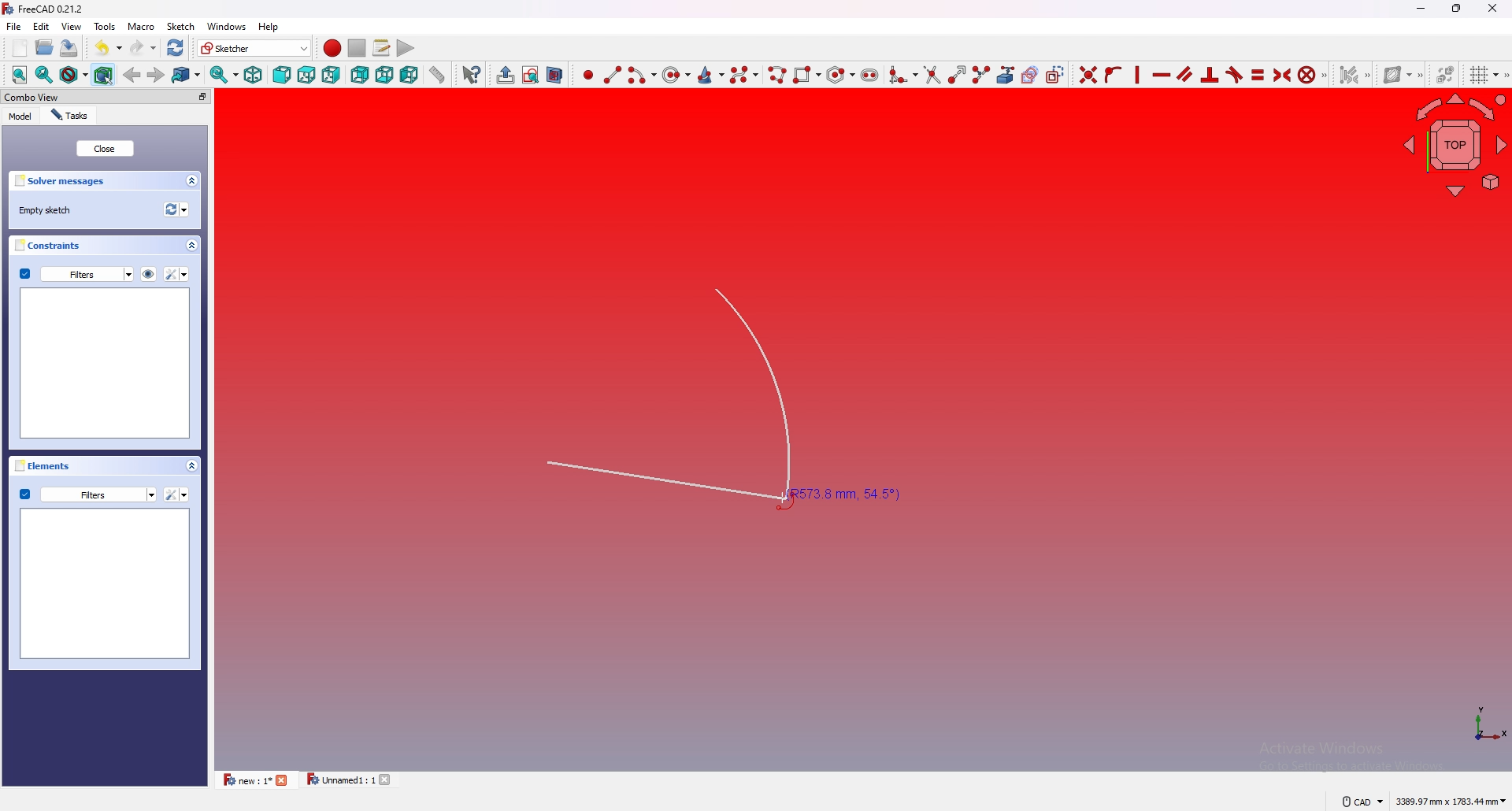  I want to click on macros, so click(381, 48).